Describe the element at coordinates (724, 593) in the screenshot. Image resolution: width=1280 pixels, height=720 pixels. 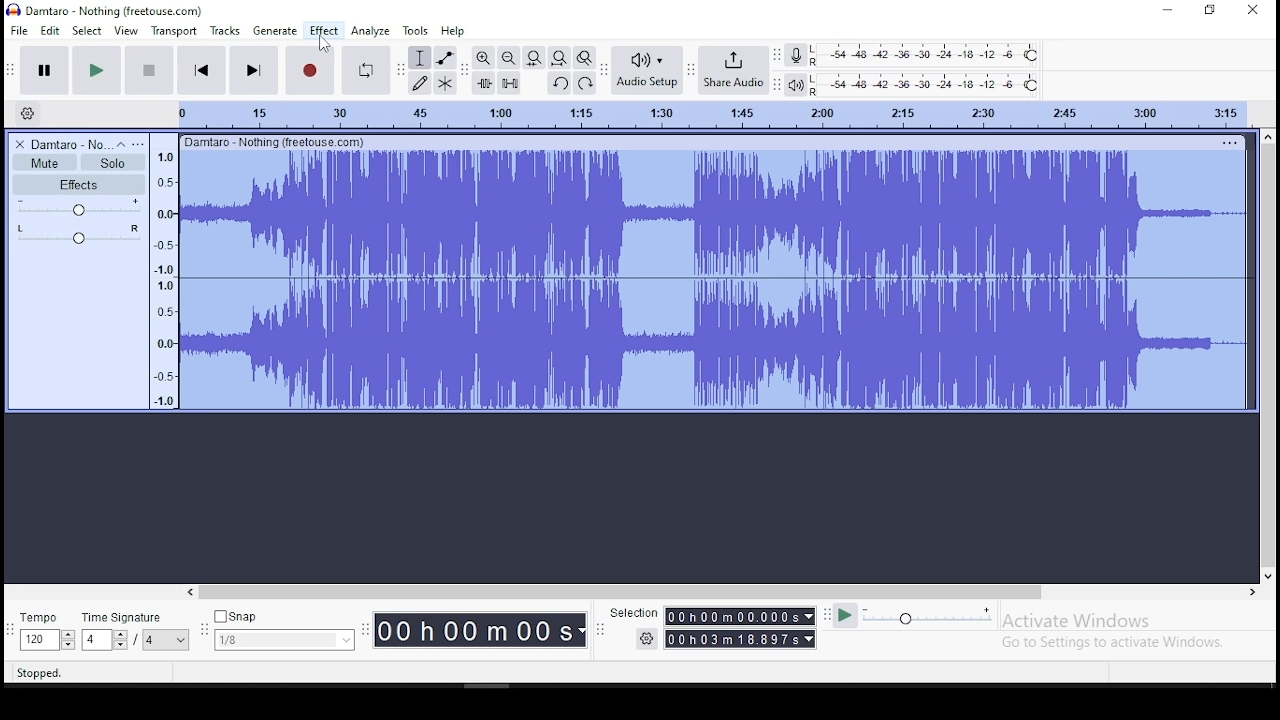
I see `scroll bar` at that location.